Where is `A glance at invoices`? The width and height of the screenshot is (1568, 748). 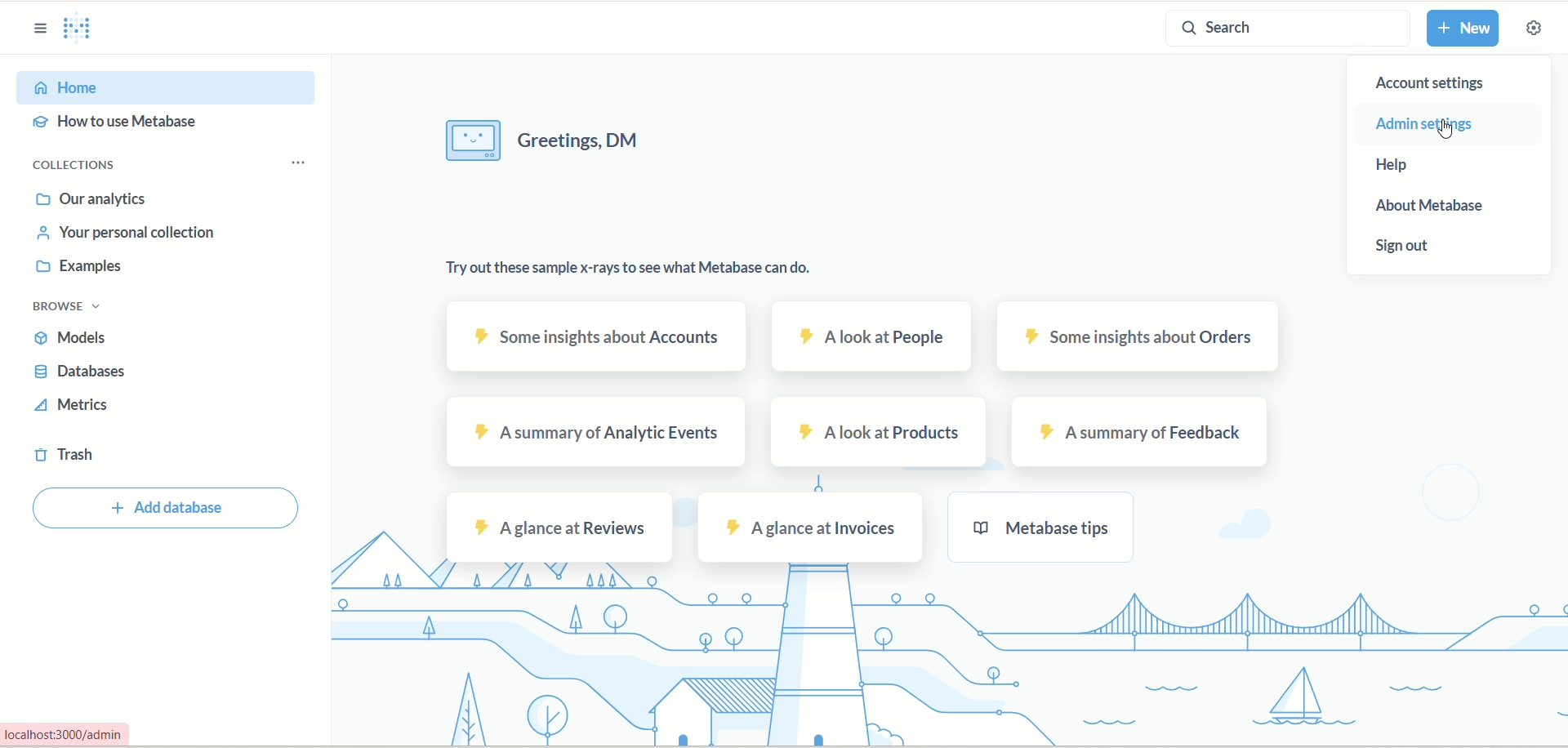
A glance at invoices is located at coordinates (809, 527).